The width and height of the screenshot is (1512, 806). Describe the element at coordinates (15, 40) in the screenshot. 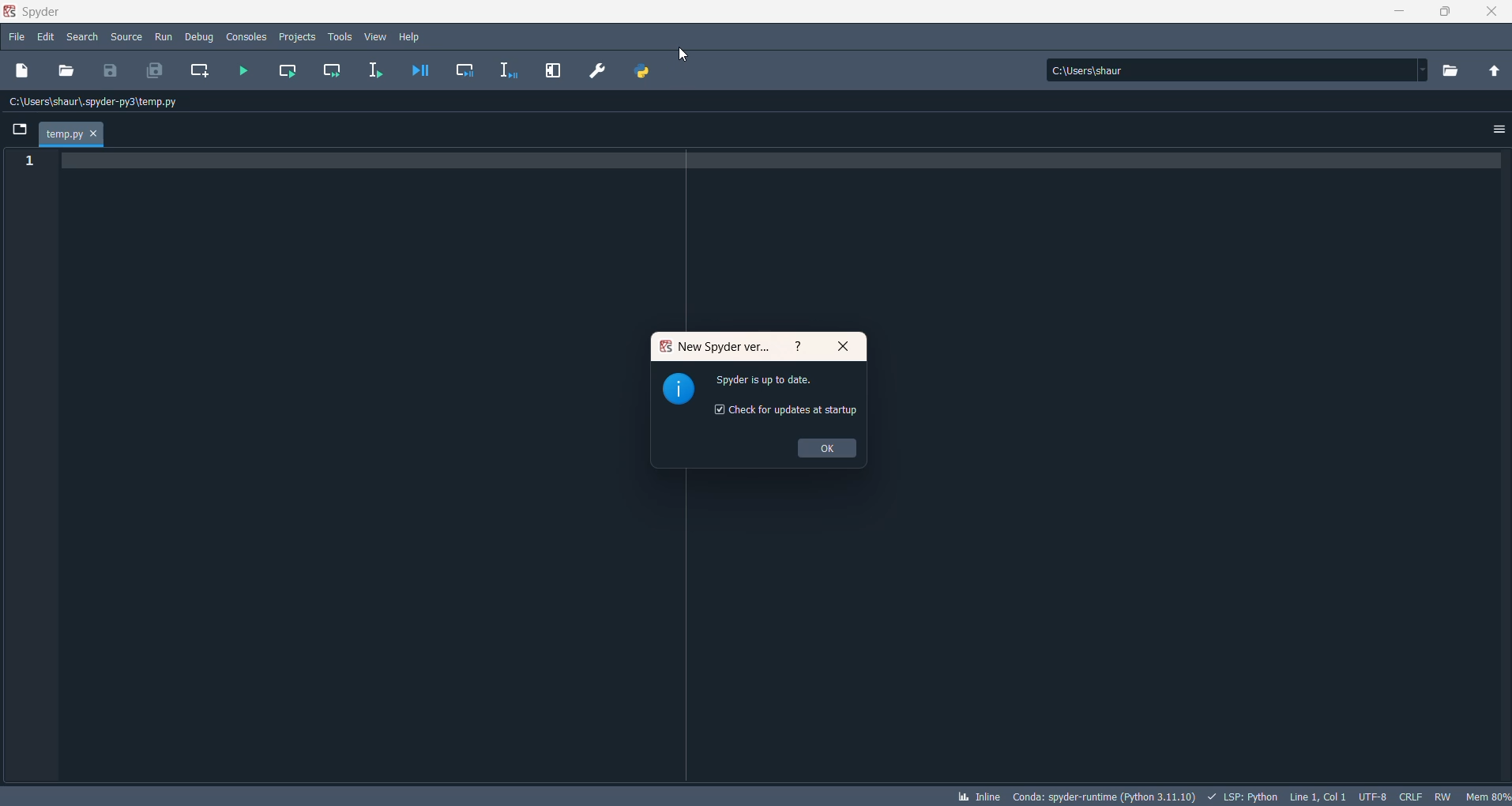

I see `file` at that location.